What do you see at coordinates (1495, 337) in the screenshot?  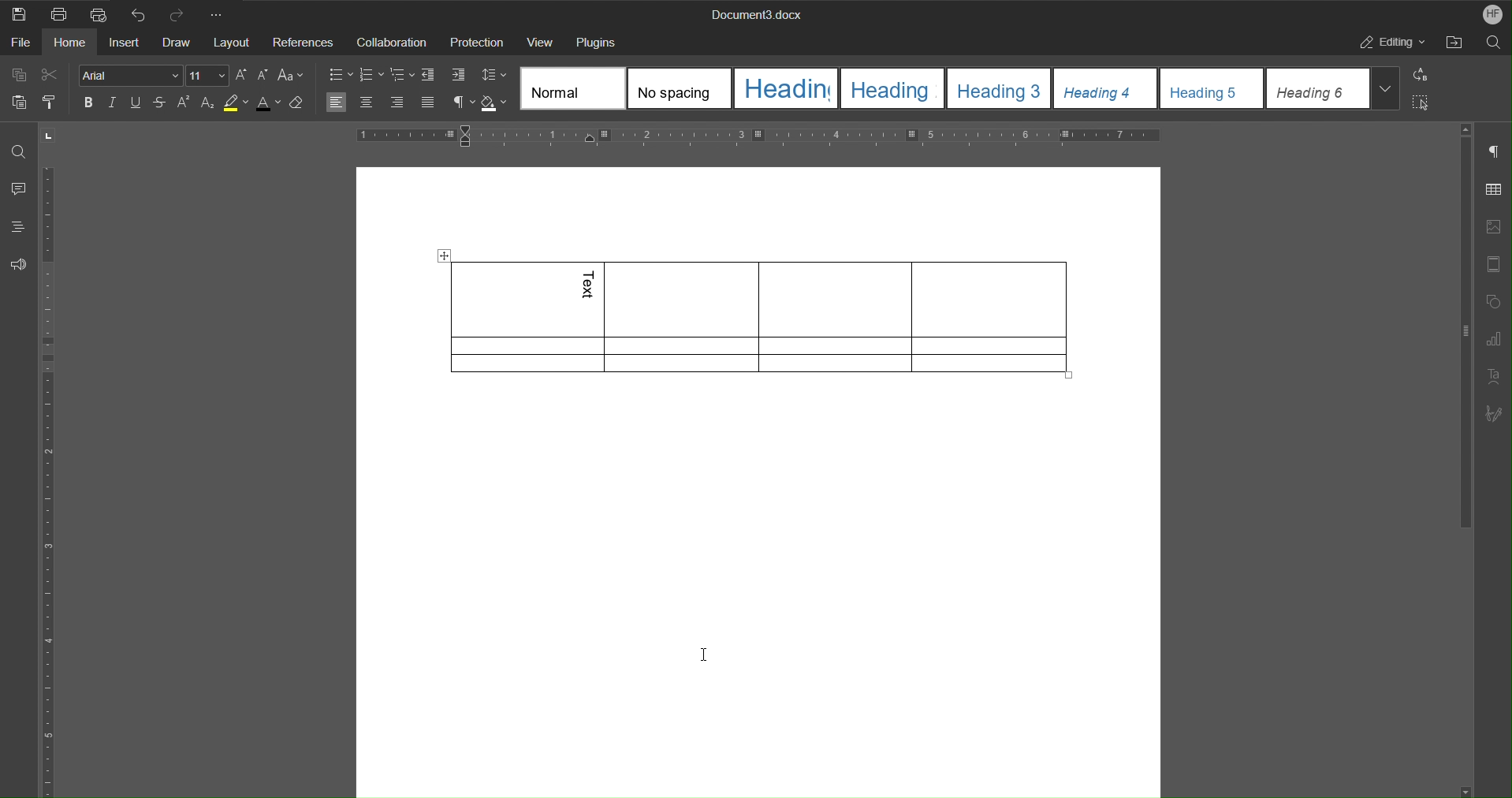 I see `Graph Settings` at bounding box center [1495, 337].